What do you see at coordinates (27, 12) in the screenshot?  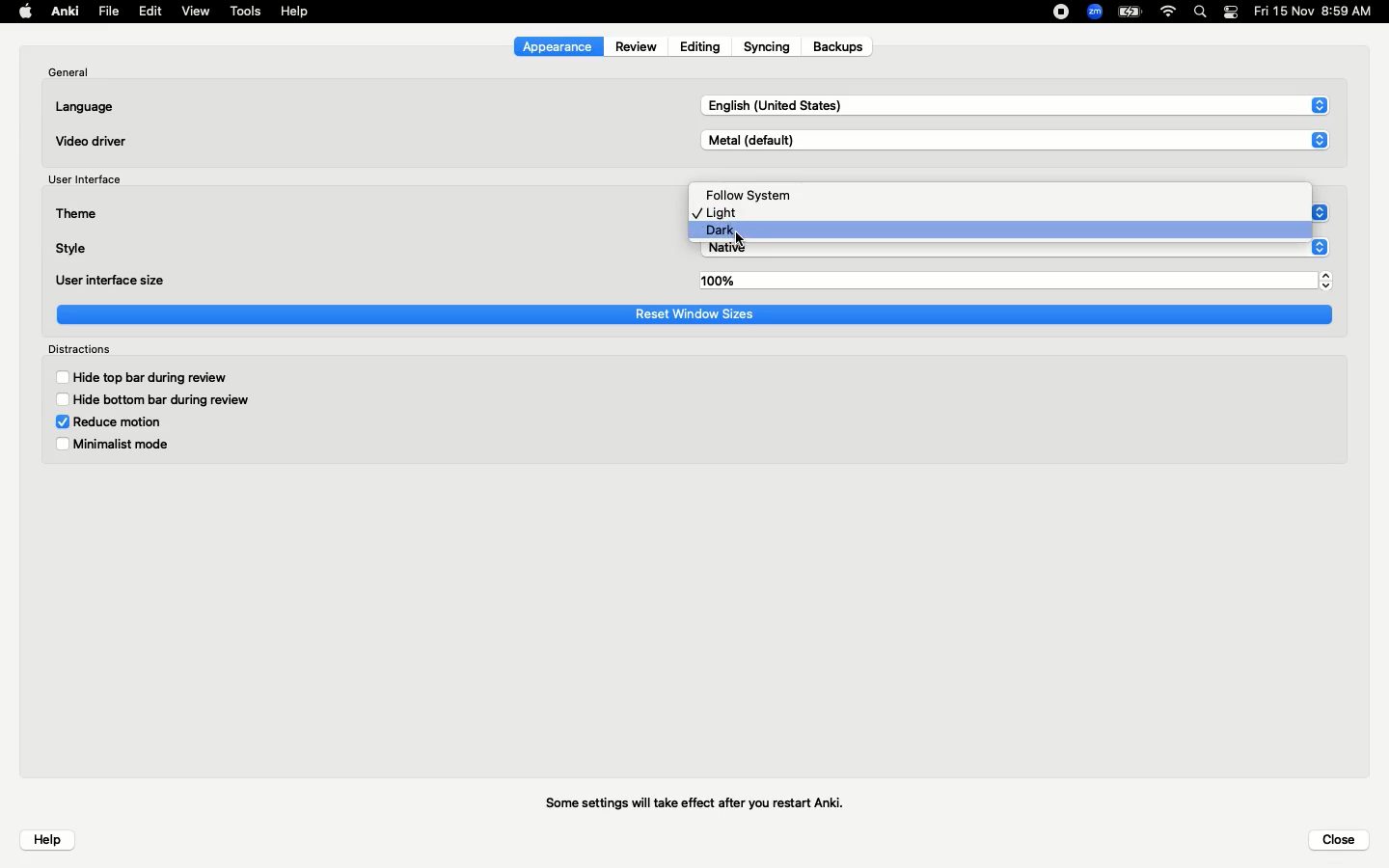 I see `Apple logo` at bounding box center [27, 12].